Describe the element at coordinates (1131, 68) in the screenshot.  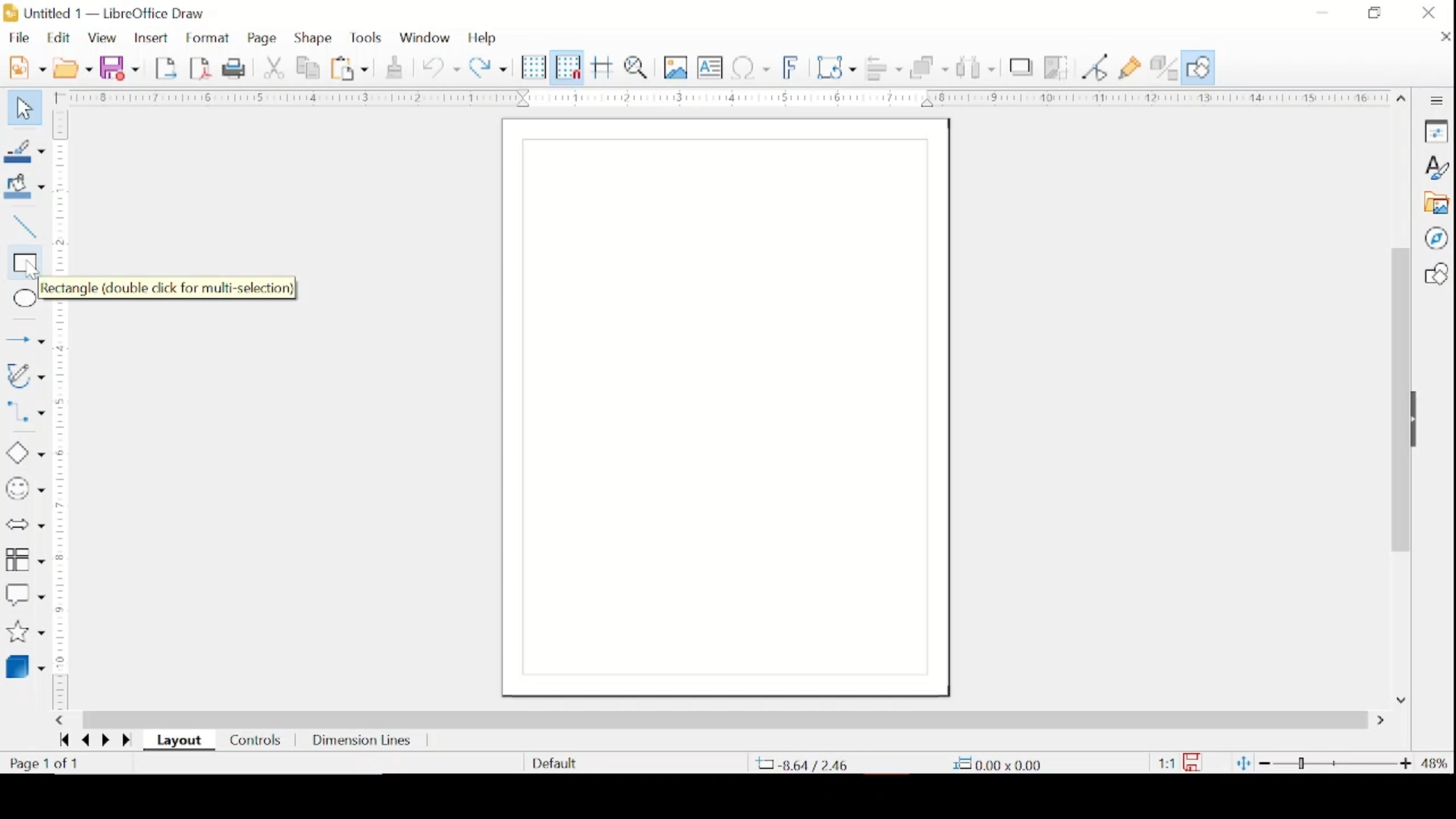
I see `show draw functions` at that location.